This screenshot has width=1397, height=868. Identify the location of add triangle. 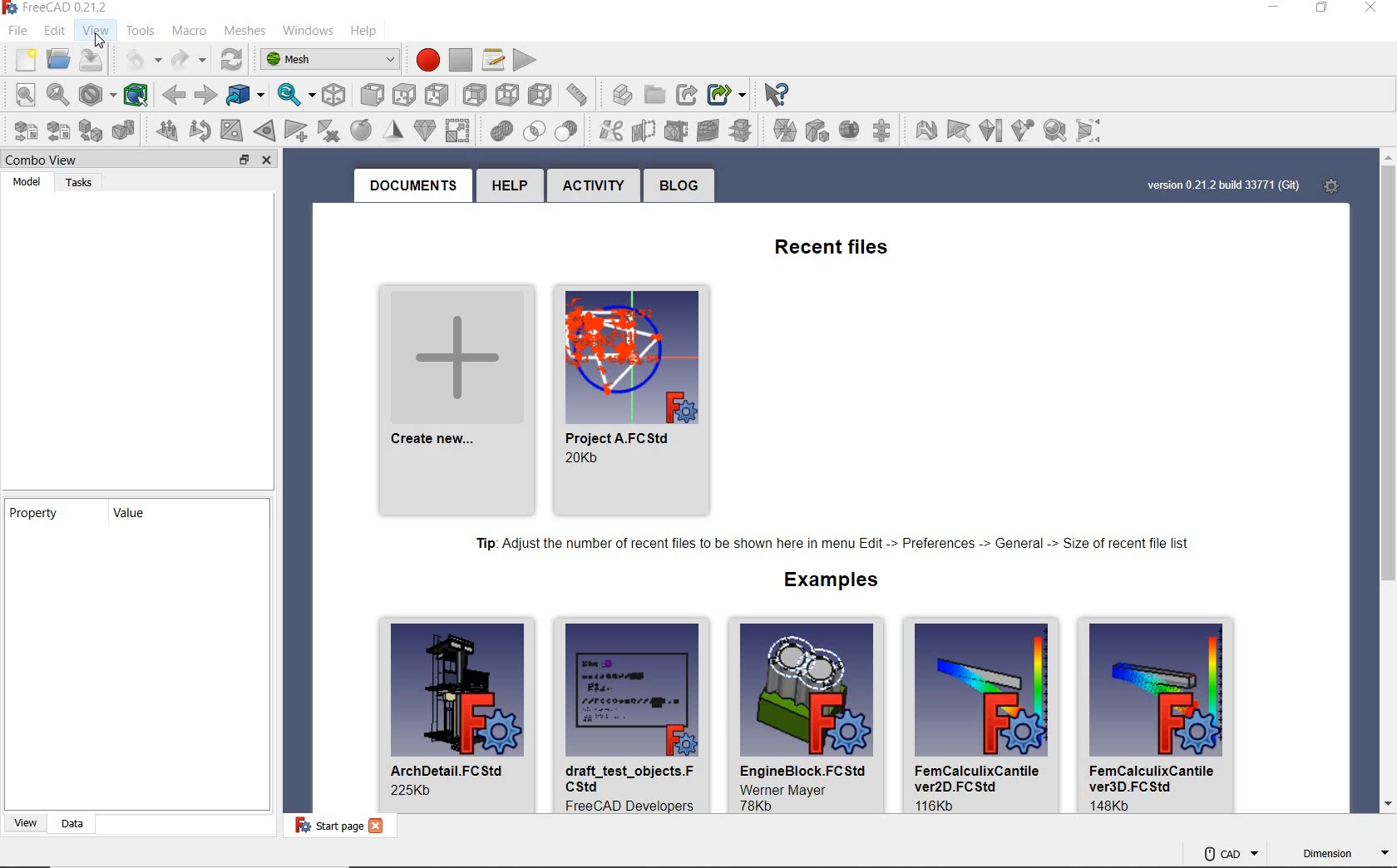
(295, 128).